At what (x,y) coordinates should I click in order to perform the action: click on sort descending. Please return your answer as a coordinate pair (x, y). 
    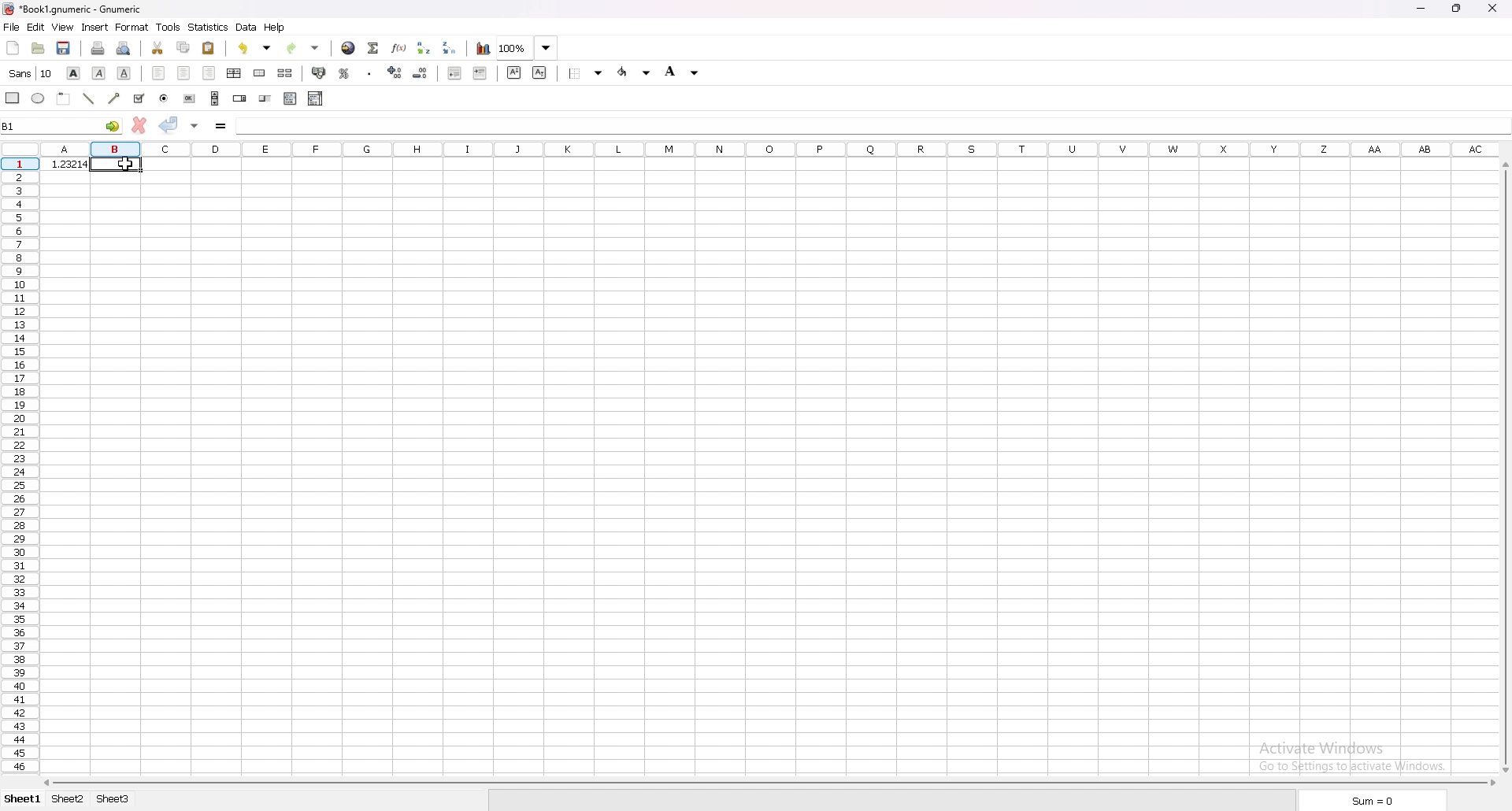
    Looking at the image, I should click on (450, 47).